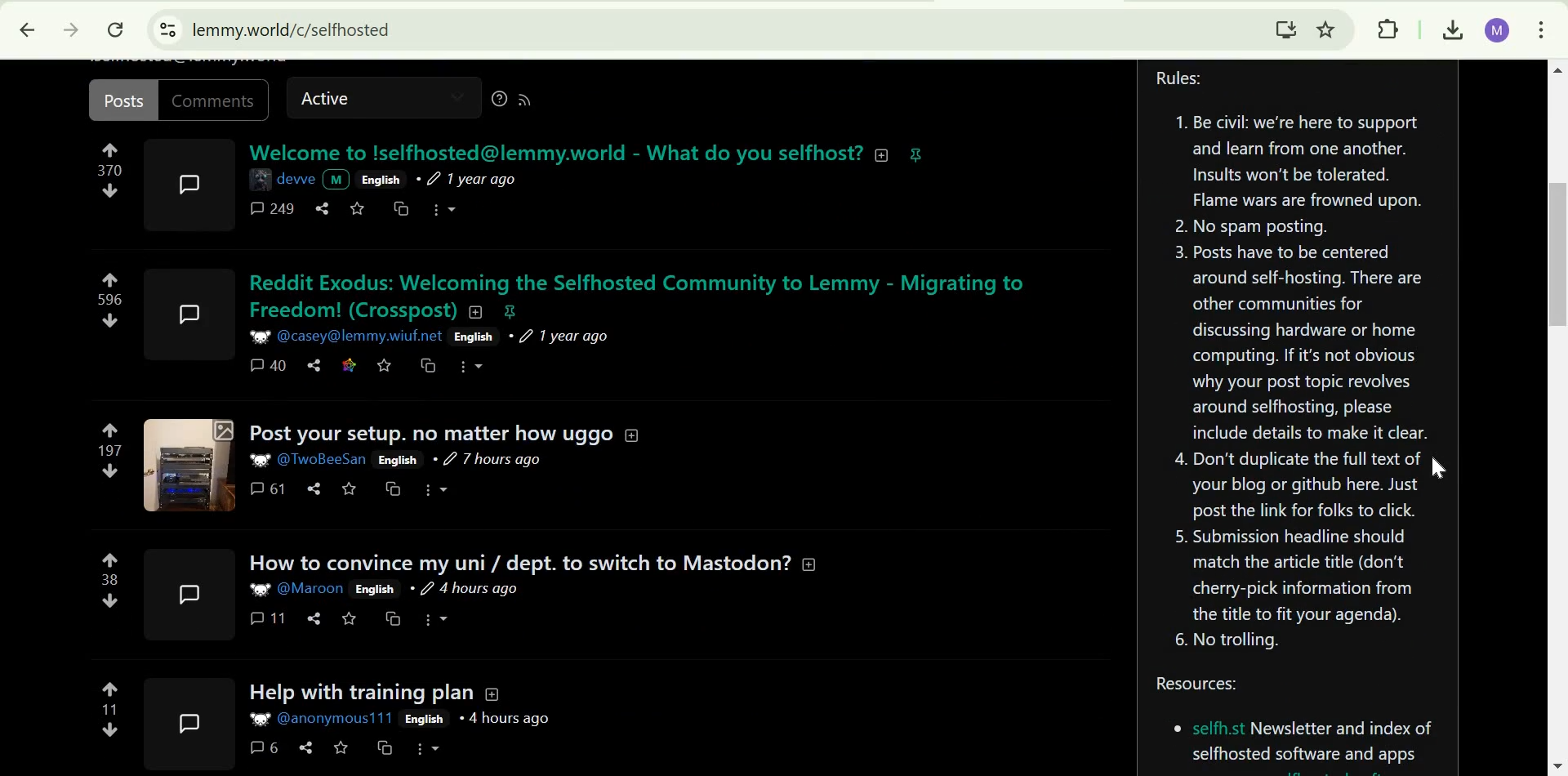 Image resolution: width=1568 pixels, height=776 pixels. I want to click on 6 comments, so click(262, 747).